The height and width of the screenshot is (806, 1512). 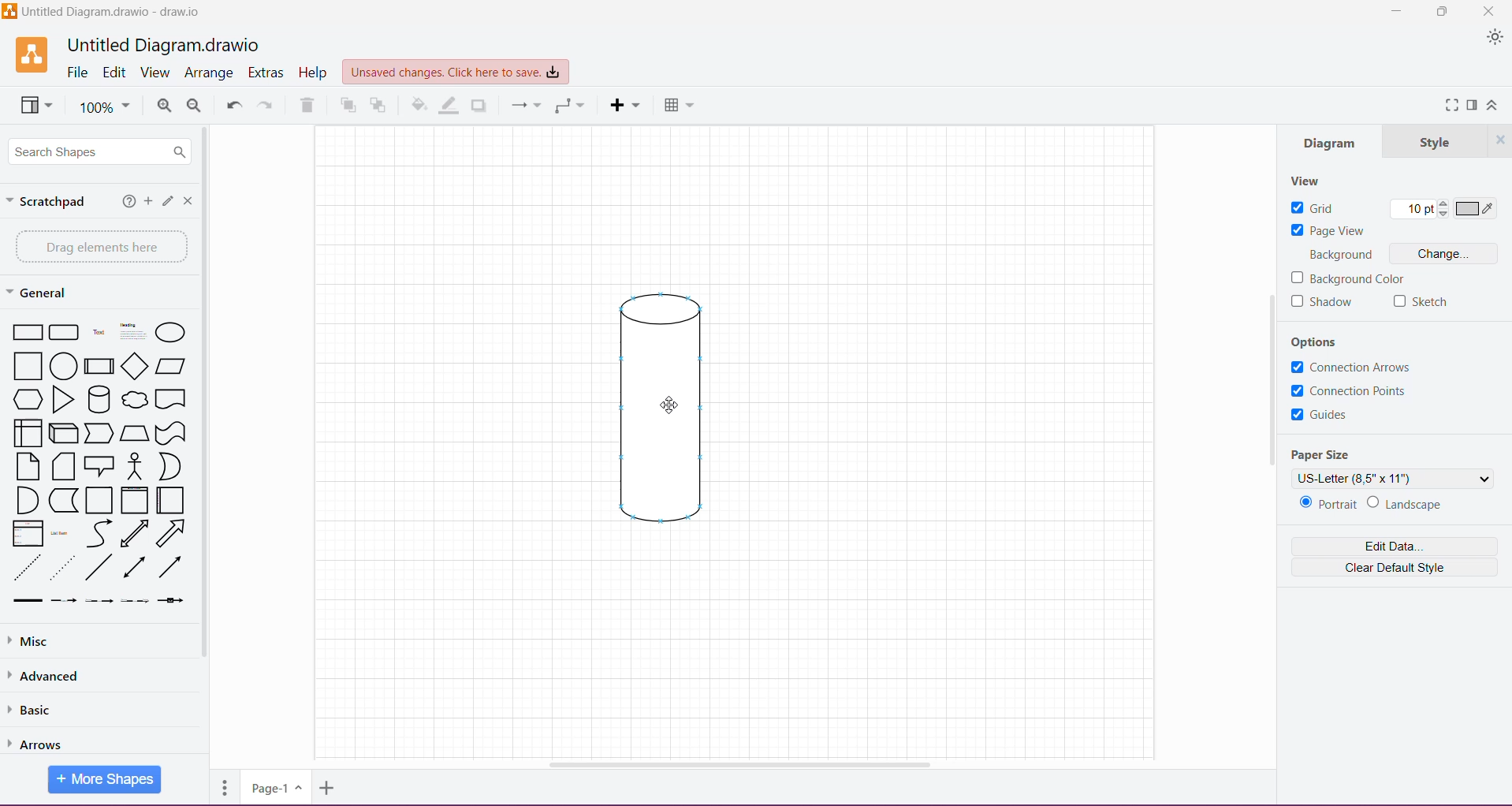 I want to click on Stretch - click to enable/disable, so click(x=1424, y=304).